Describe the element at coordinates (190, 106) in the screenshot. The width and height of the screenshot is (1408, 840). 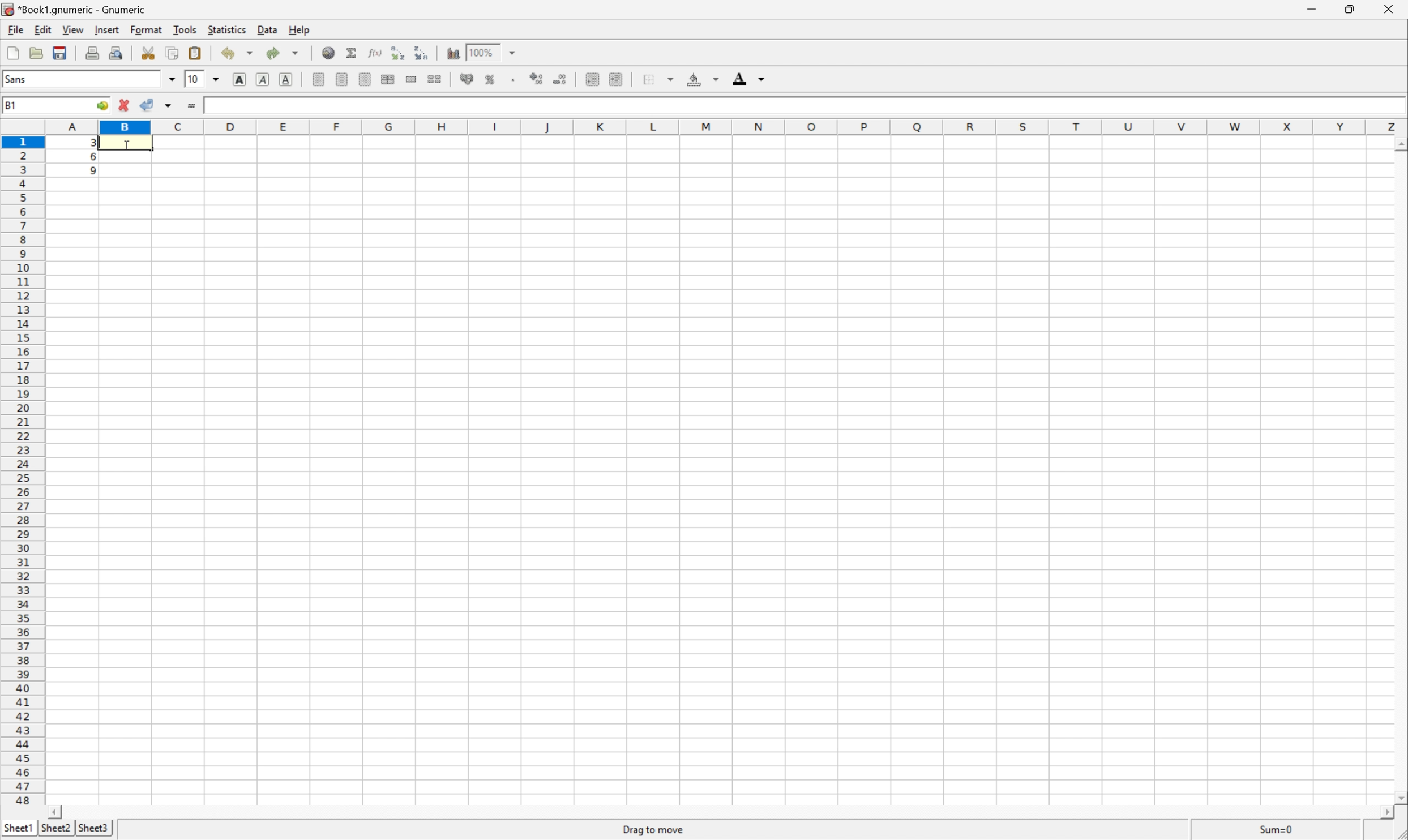
I see `Enter formula` at that location.